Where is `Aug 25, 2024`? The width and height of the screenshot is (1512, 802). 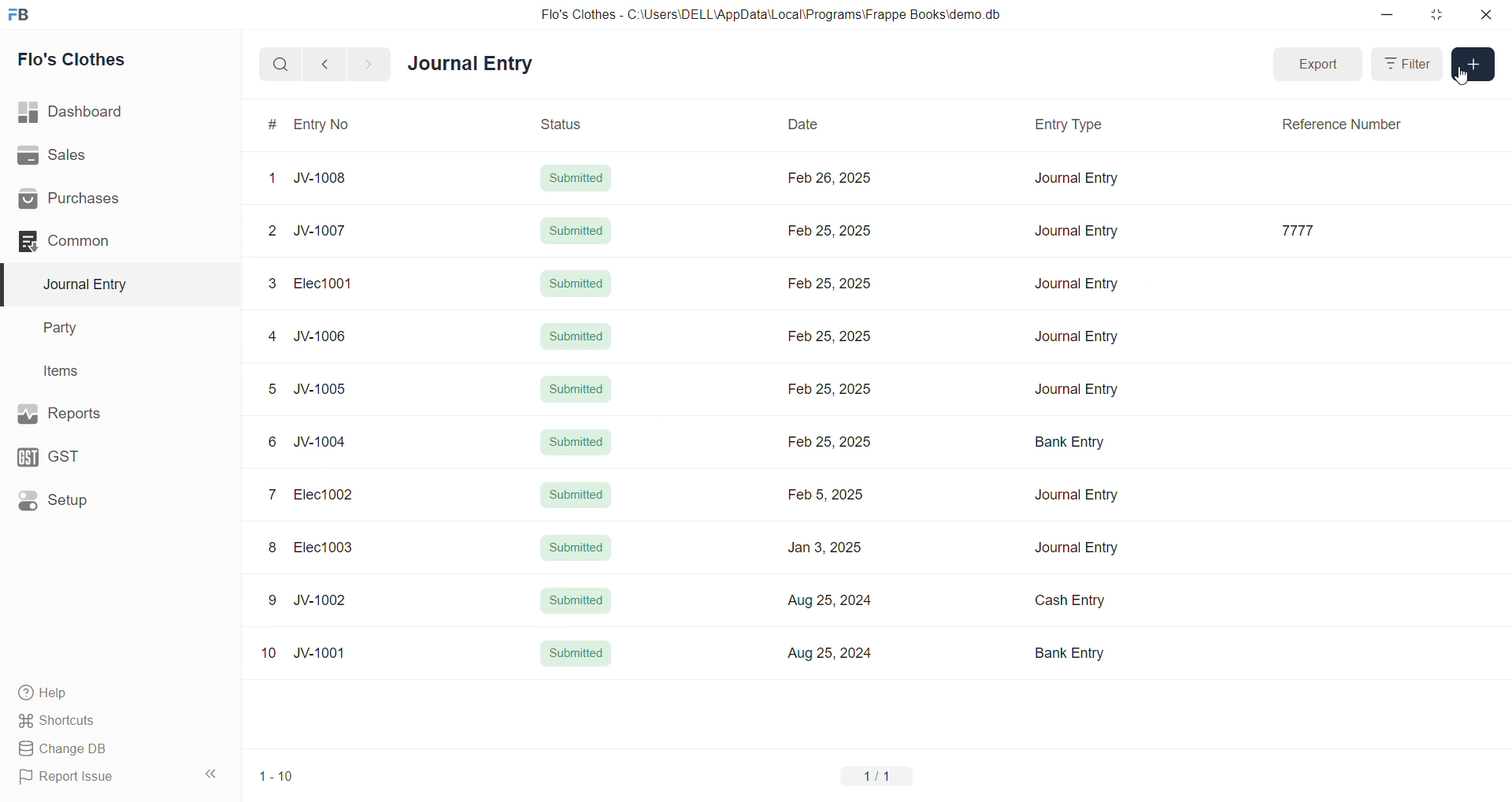 Aug 25, 2024 is located at coordinates (832, 600).